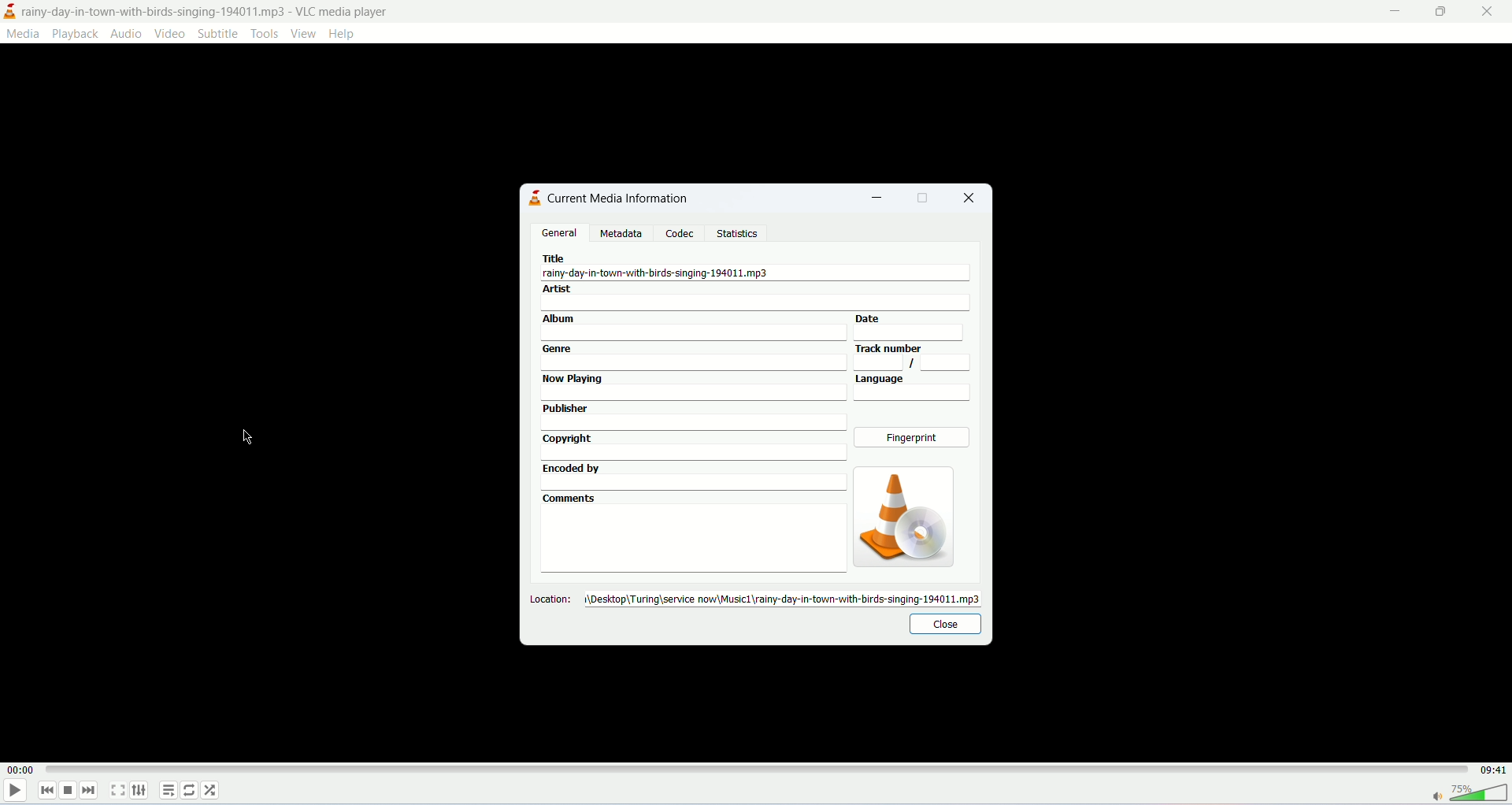 Image resolution: width=1512 pixels, height=805 pixels. What do you see at coordinates (209, 791) in the screenshot?
I see `shuffle` at bounding box center [209, 791].